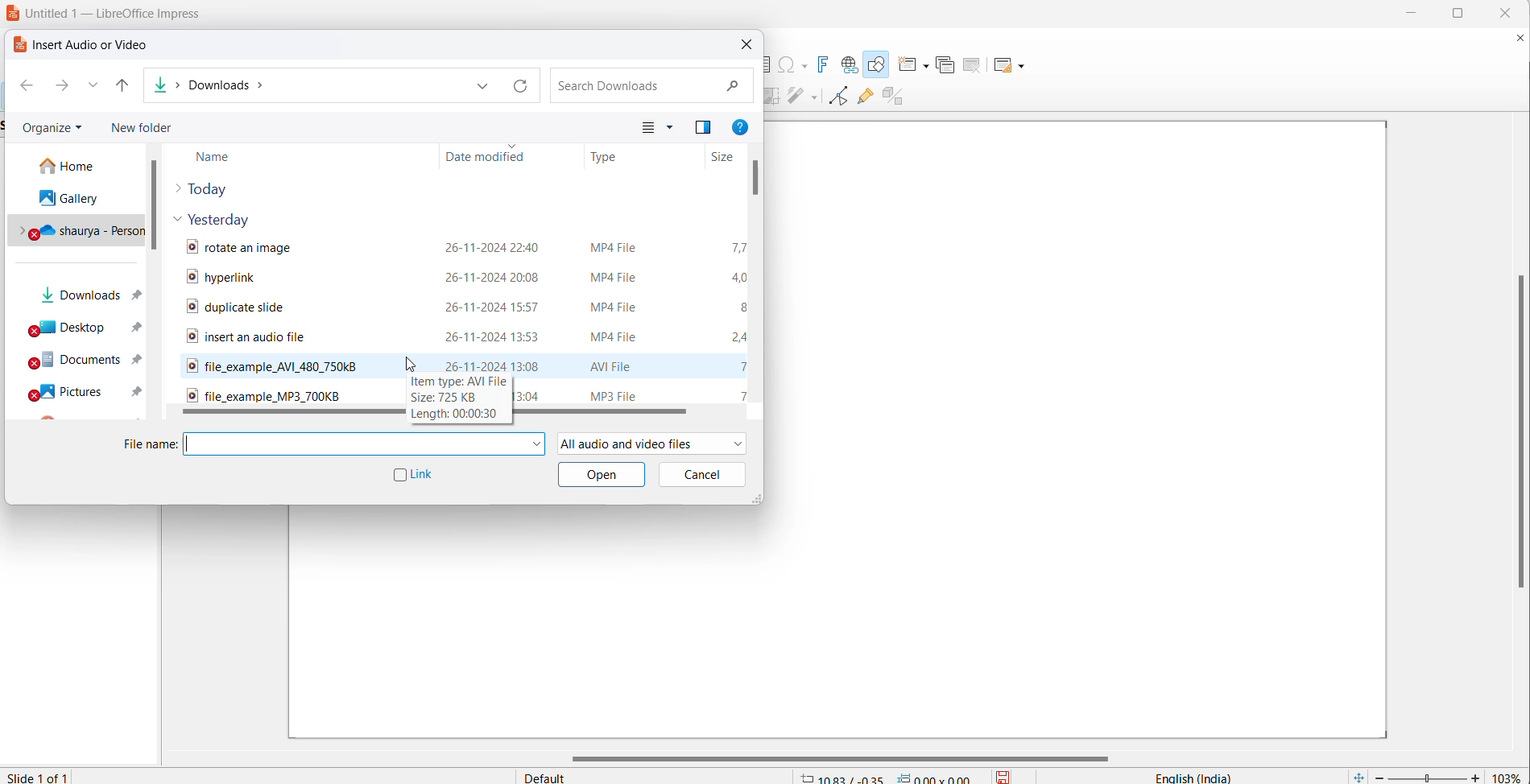  I want to click on horizontal scroll bar, so click(271, 412).